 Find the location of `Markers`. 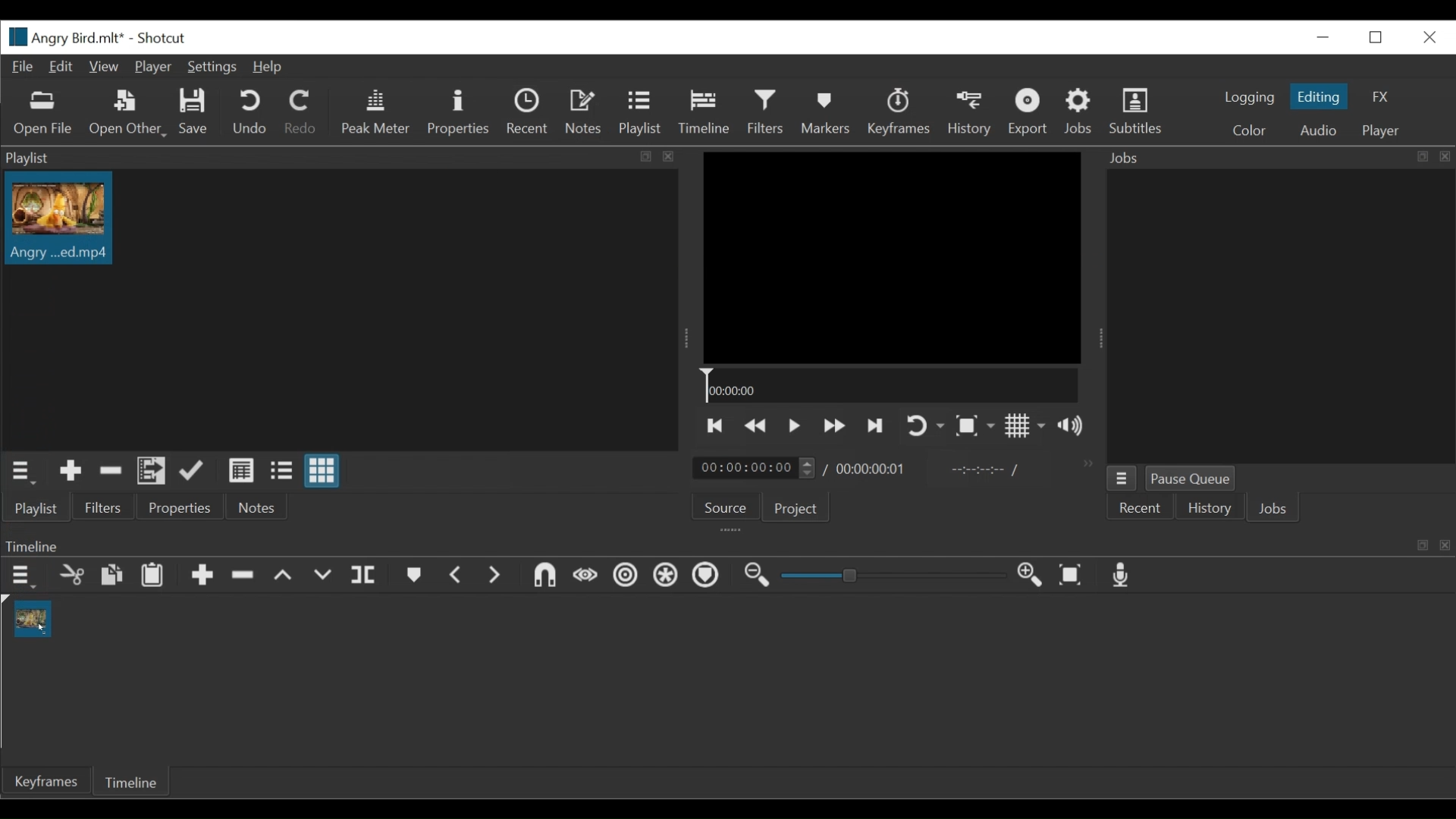

Markers is located at coordinates (827, 112).